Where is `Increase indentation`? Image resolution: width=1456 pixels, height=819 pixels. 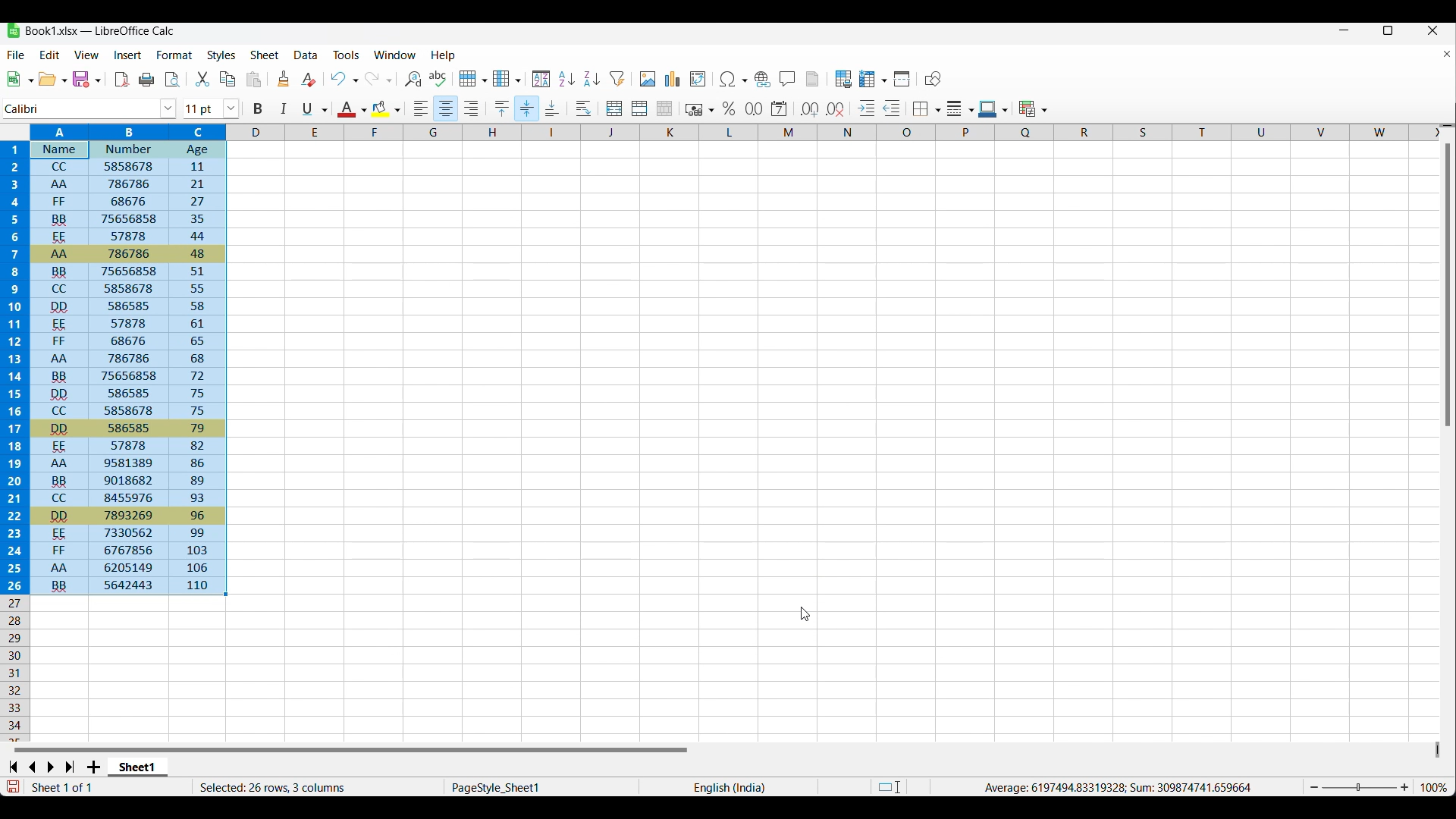 Increase indentation is located at coordinates (868, 108).